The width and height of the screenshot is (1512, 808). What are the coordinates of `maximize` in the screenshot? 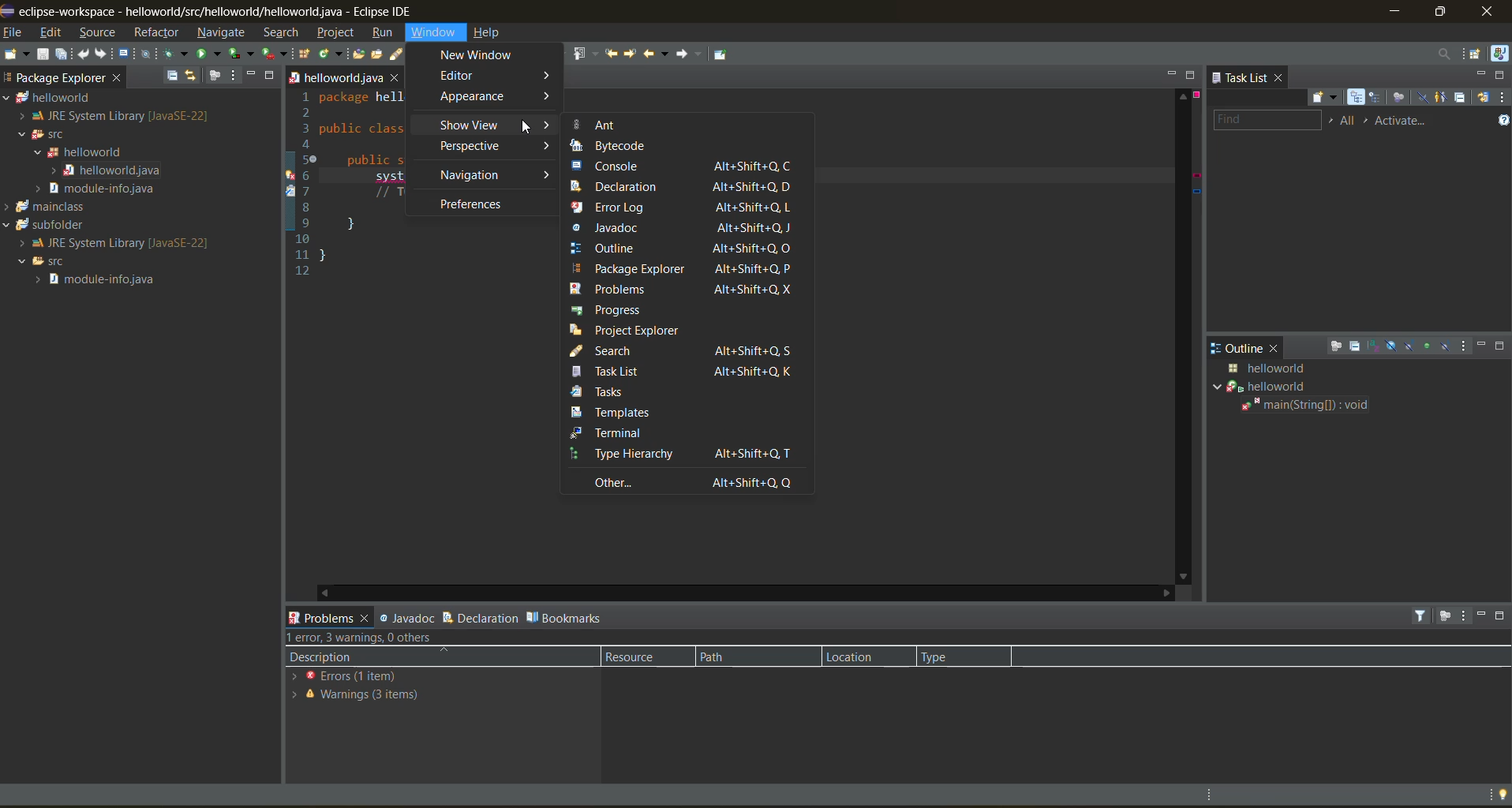 It's located at (1441, 13).